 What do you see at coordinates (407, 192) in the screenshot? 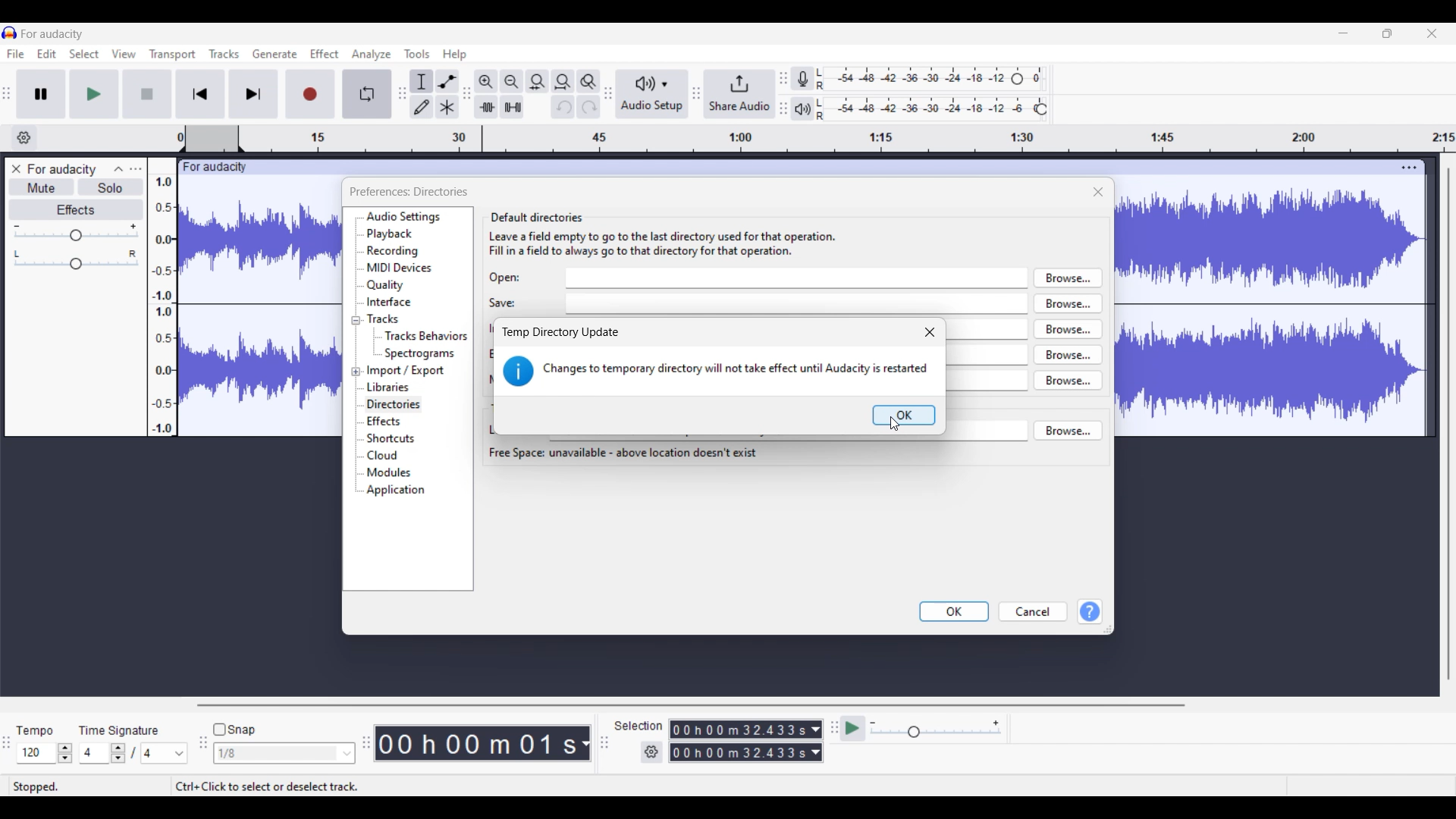
I see `preferences: directories` at bounding box center [407, 192].